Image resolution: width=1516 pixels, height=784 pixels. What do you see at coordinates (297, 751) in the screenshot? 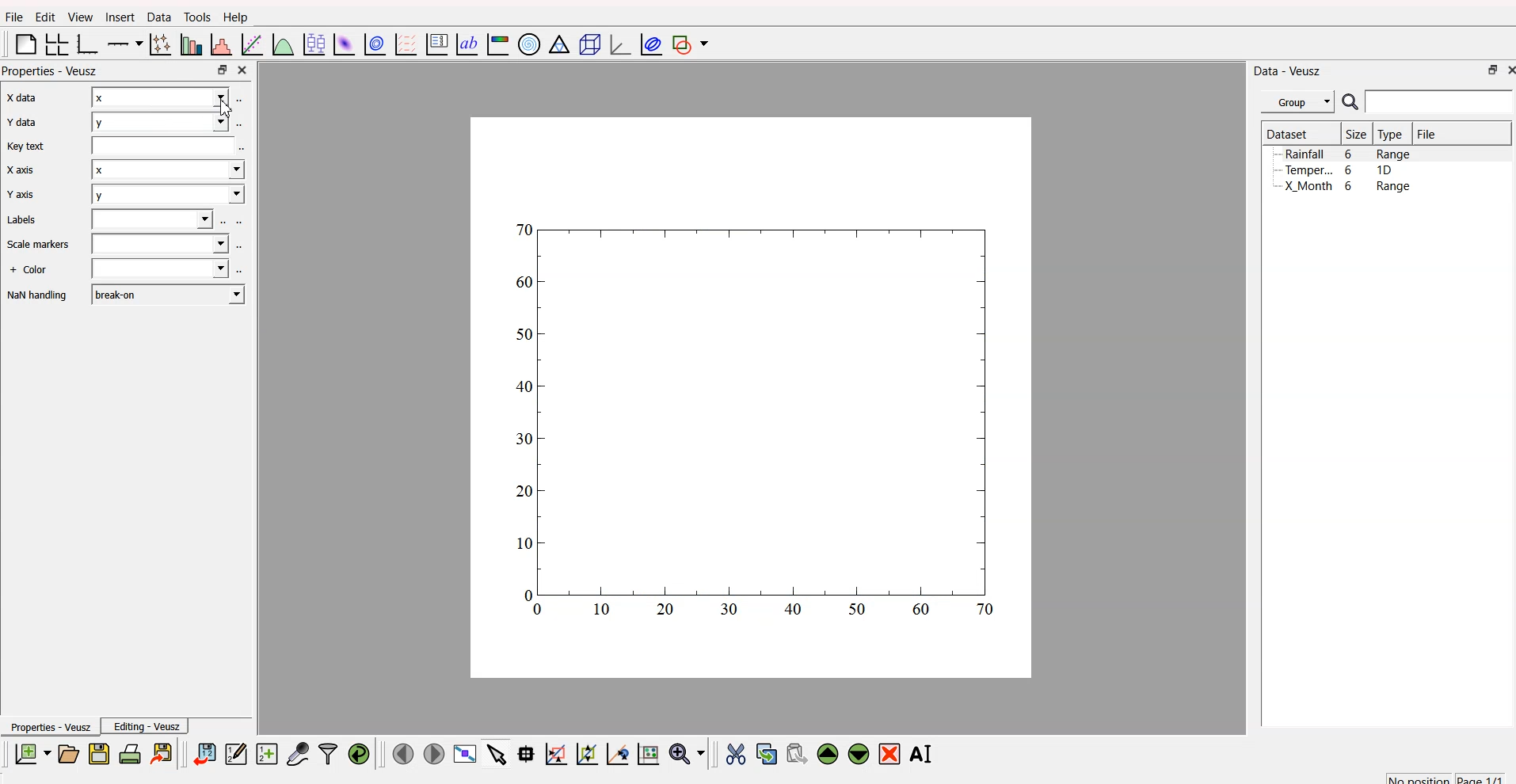
I see `capture a dataset` at bounding box center [297, 751].